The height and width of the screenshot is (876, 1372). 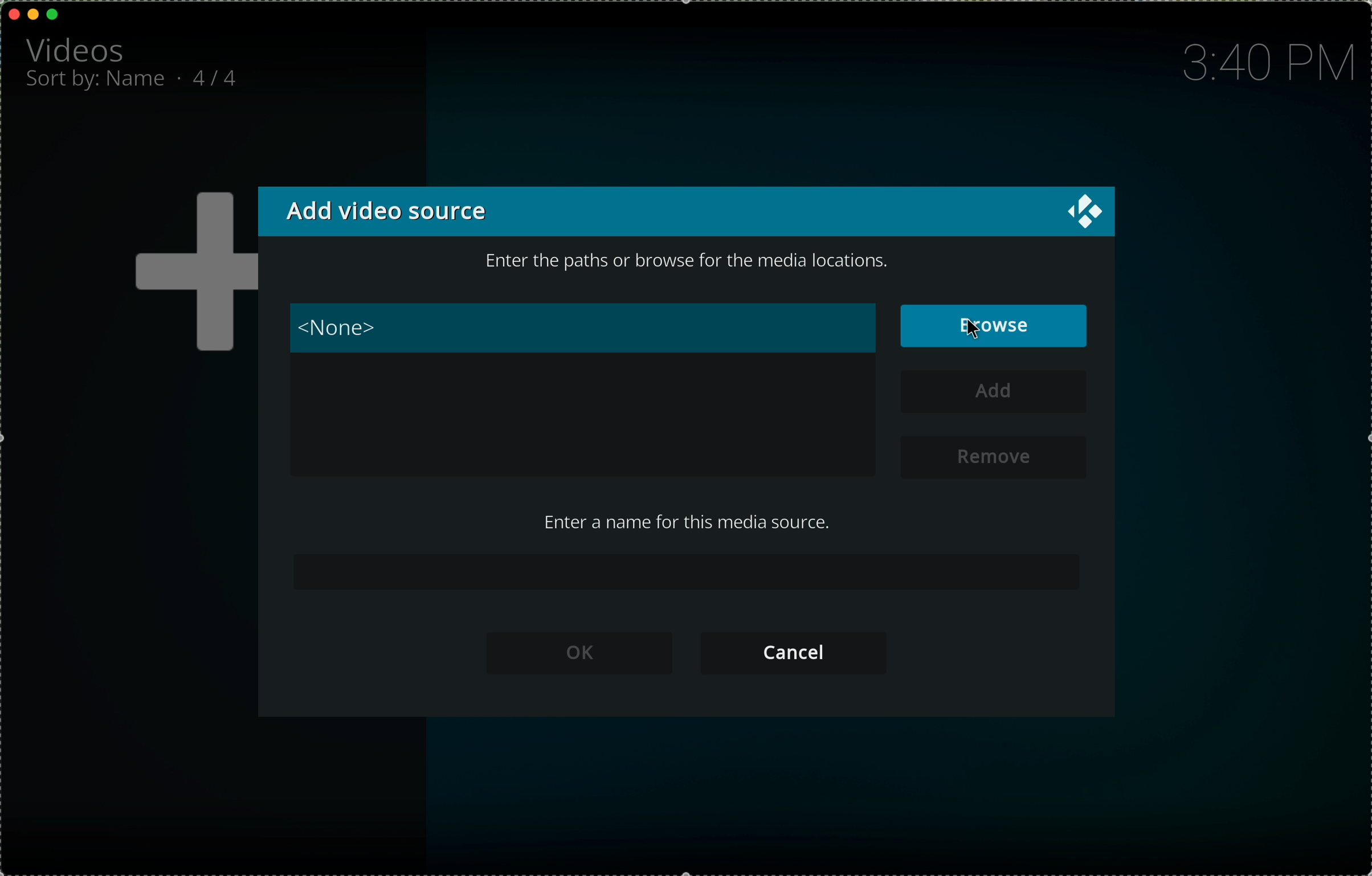 I want to click on minimise, so click(x=33, y=13).